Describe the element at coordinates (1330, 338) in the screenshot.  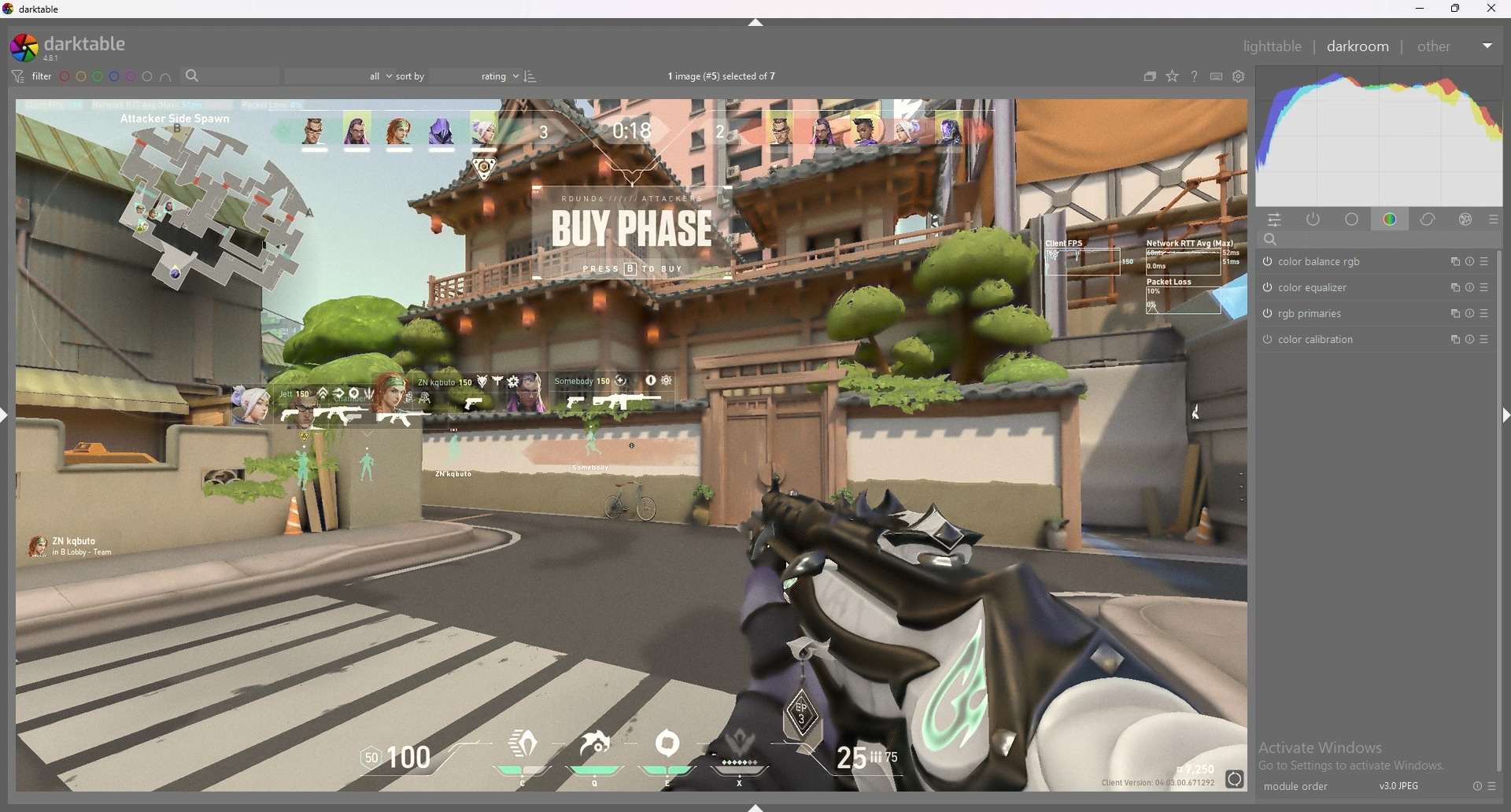
I see `color calibration` at that location.